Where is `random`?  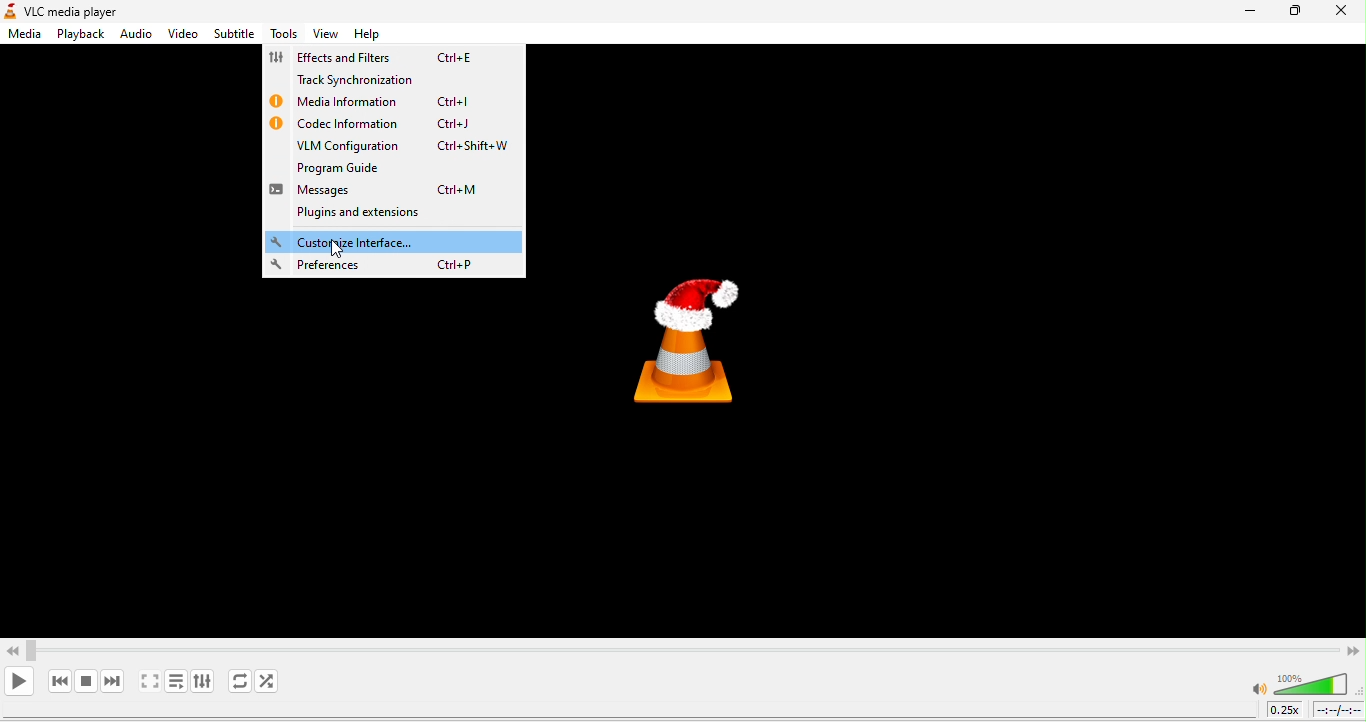
random is located at coordinates (274, 683).